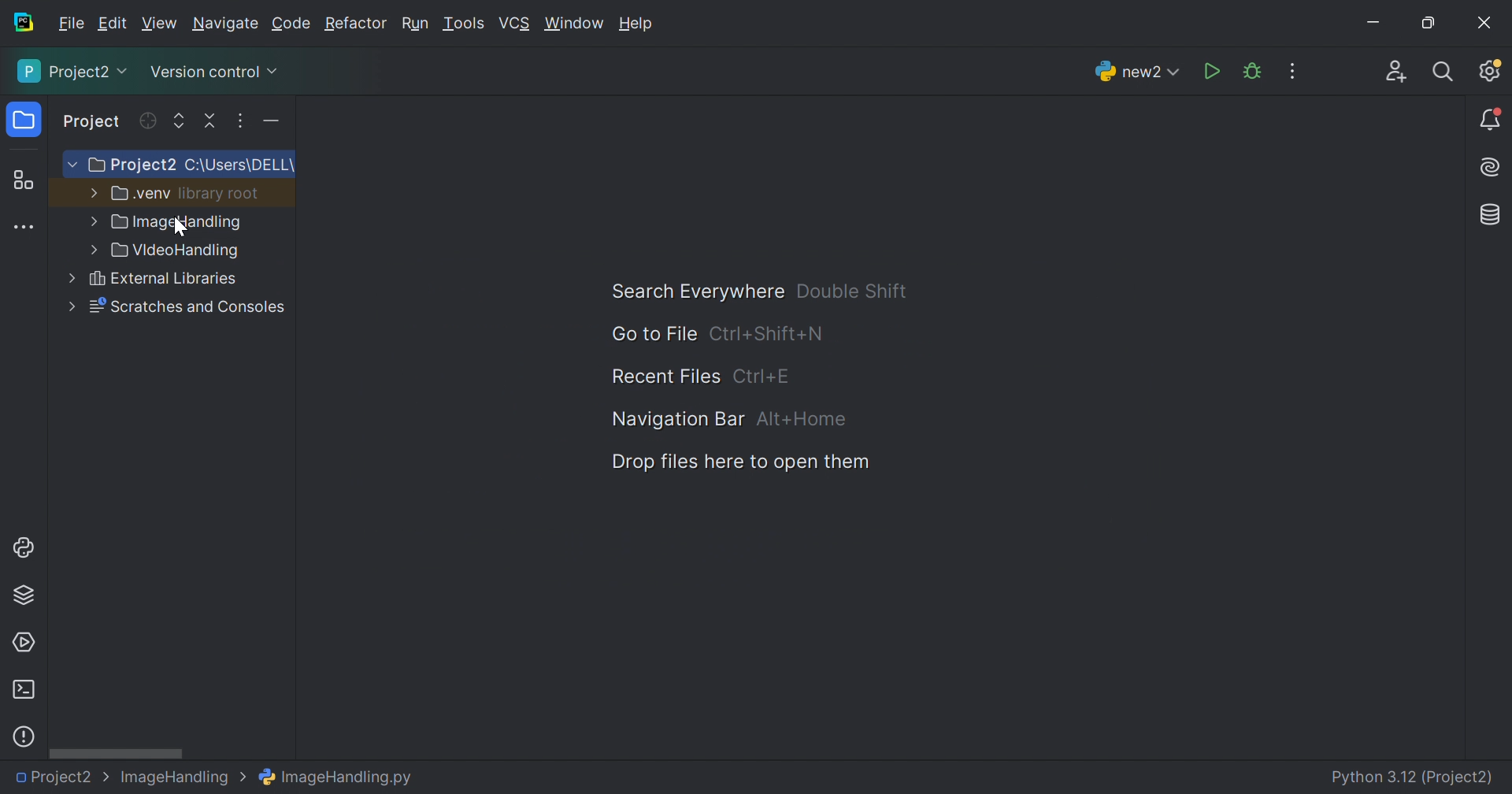  Describe the element at coordinates (674, 418) in the screenshot. I see `Navigation Bar` at that location.